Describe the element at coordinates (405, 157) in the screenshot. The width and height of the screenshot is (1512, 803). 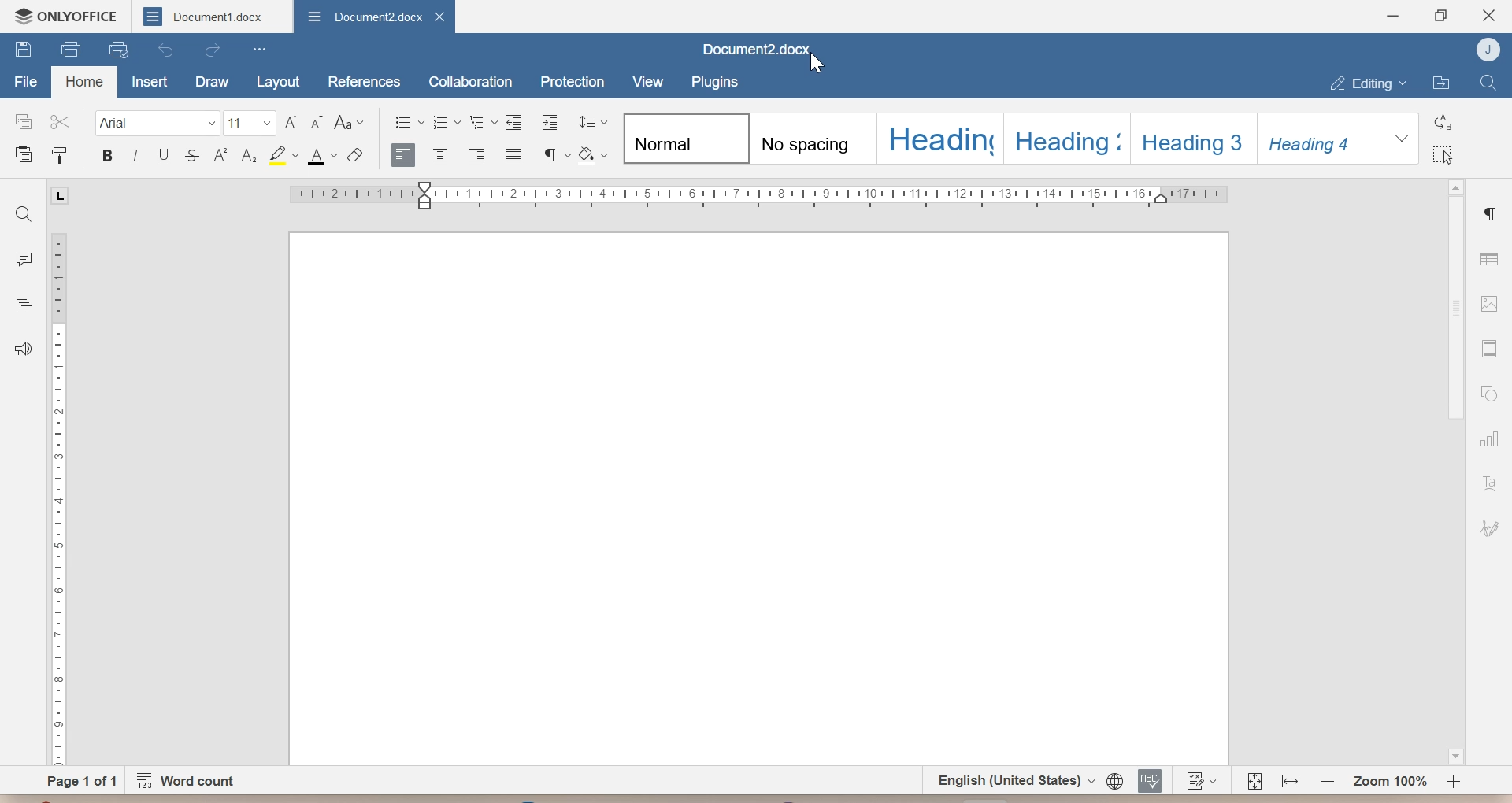
I see `Align left` at that location.